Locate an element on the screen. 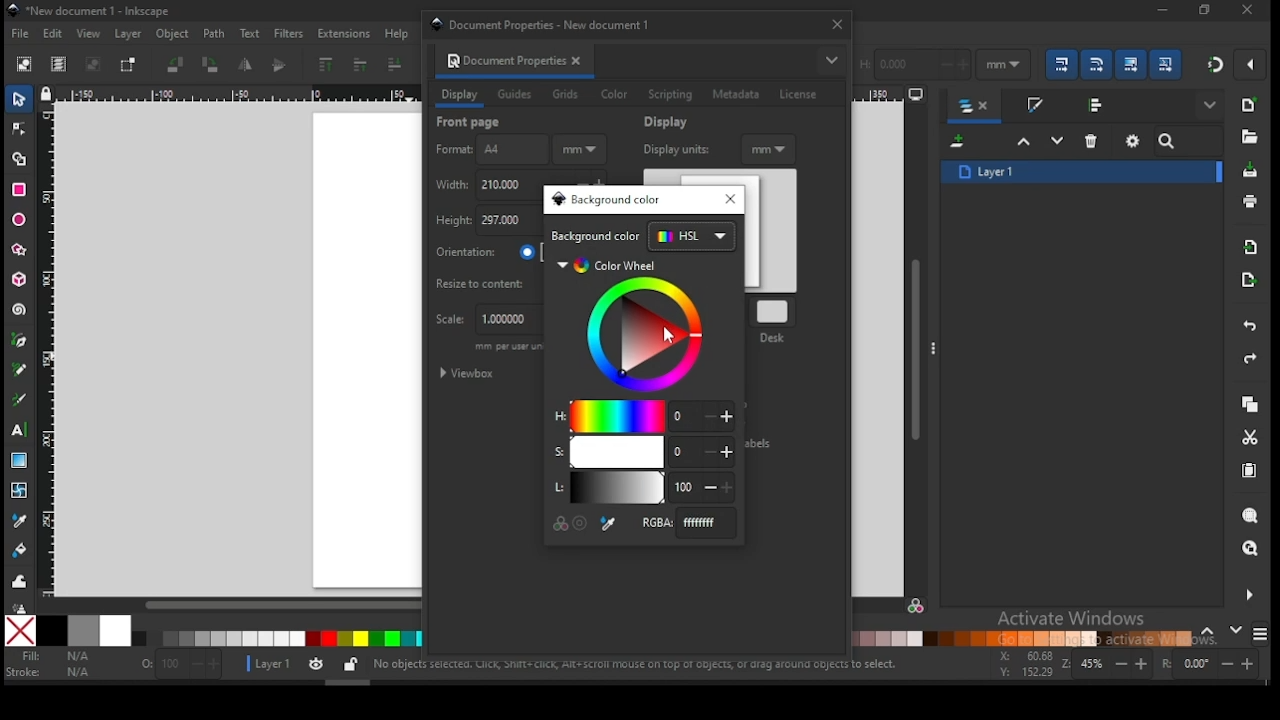 Image resolution: width=1280 pixels, height=720 pixels. select all is located at coordinates (26, 63).